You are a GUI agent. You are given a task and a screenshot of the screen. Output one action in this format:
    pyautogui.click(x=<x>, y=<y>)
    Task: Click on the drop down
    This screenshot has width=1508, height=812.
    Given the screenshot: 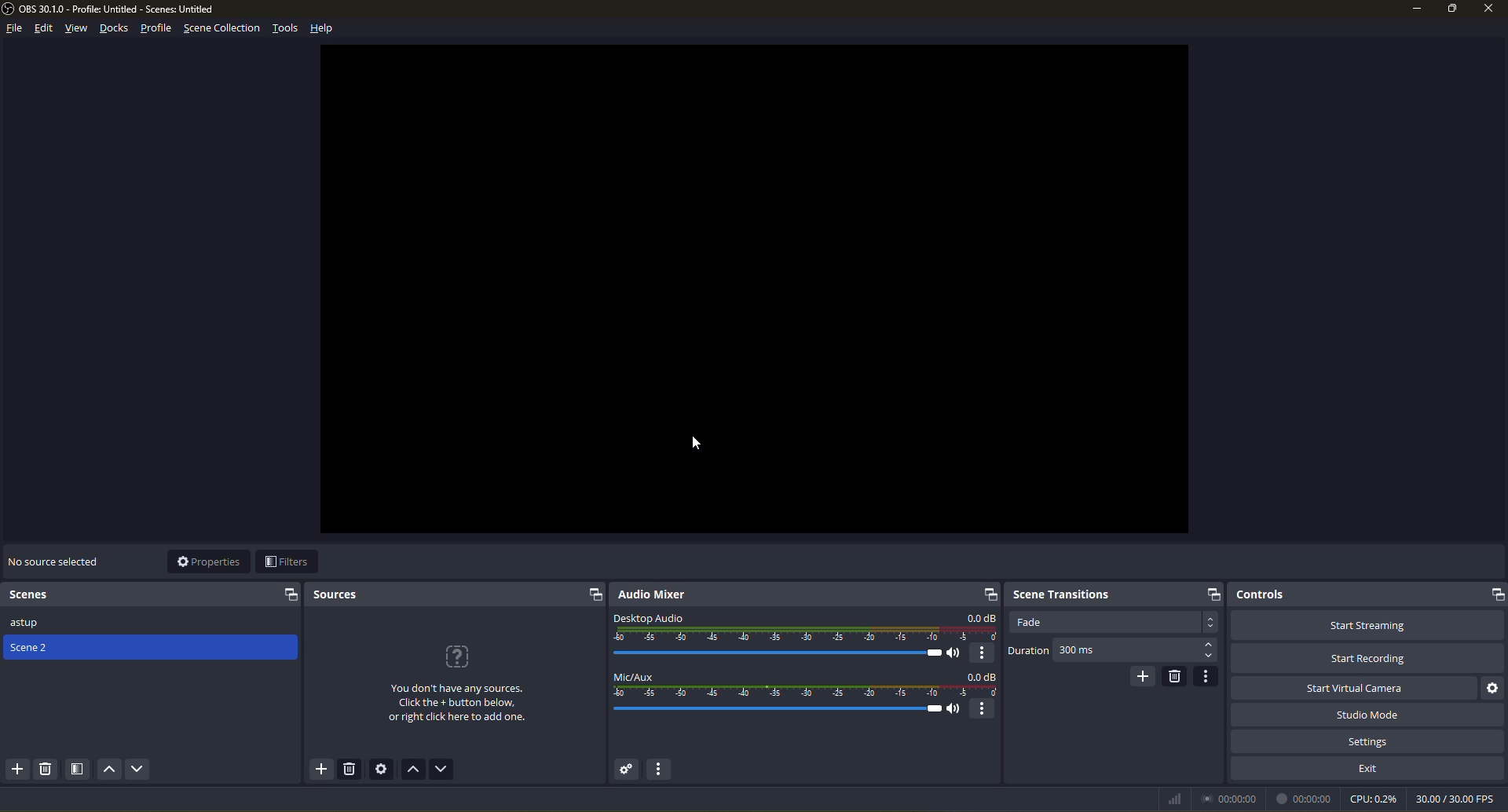 What is the action you would take?
    pyautogui.click(x=1210, y=623)
    